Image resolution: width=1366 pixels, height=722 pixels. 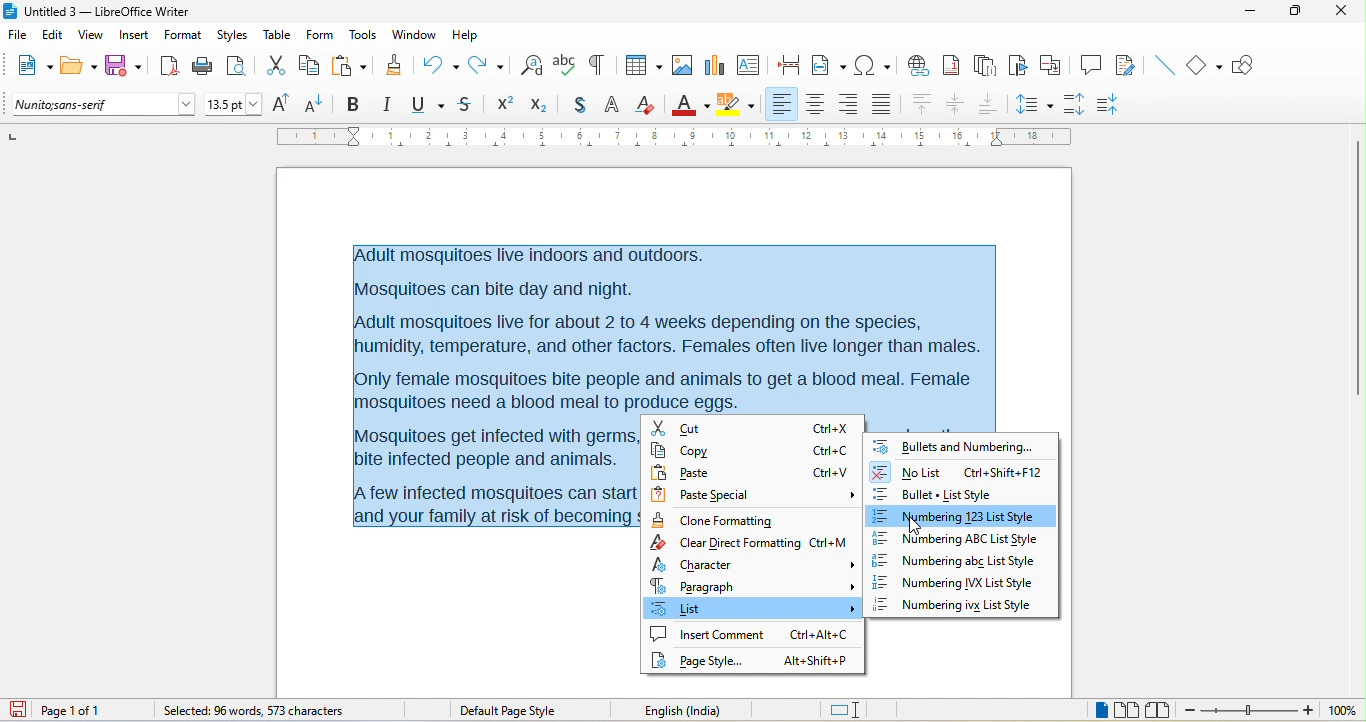 What do you see at coordinates (755, 495) in the screenshot?
I see `paste special` at bounding box center [755, 495].